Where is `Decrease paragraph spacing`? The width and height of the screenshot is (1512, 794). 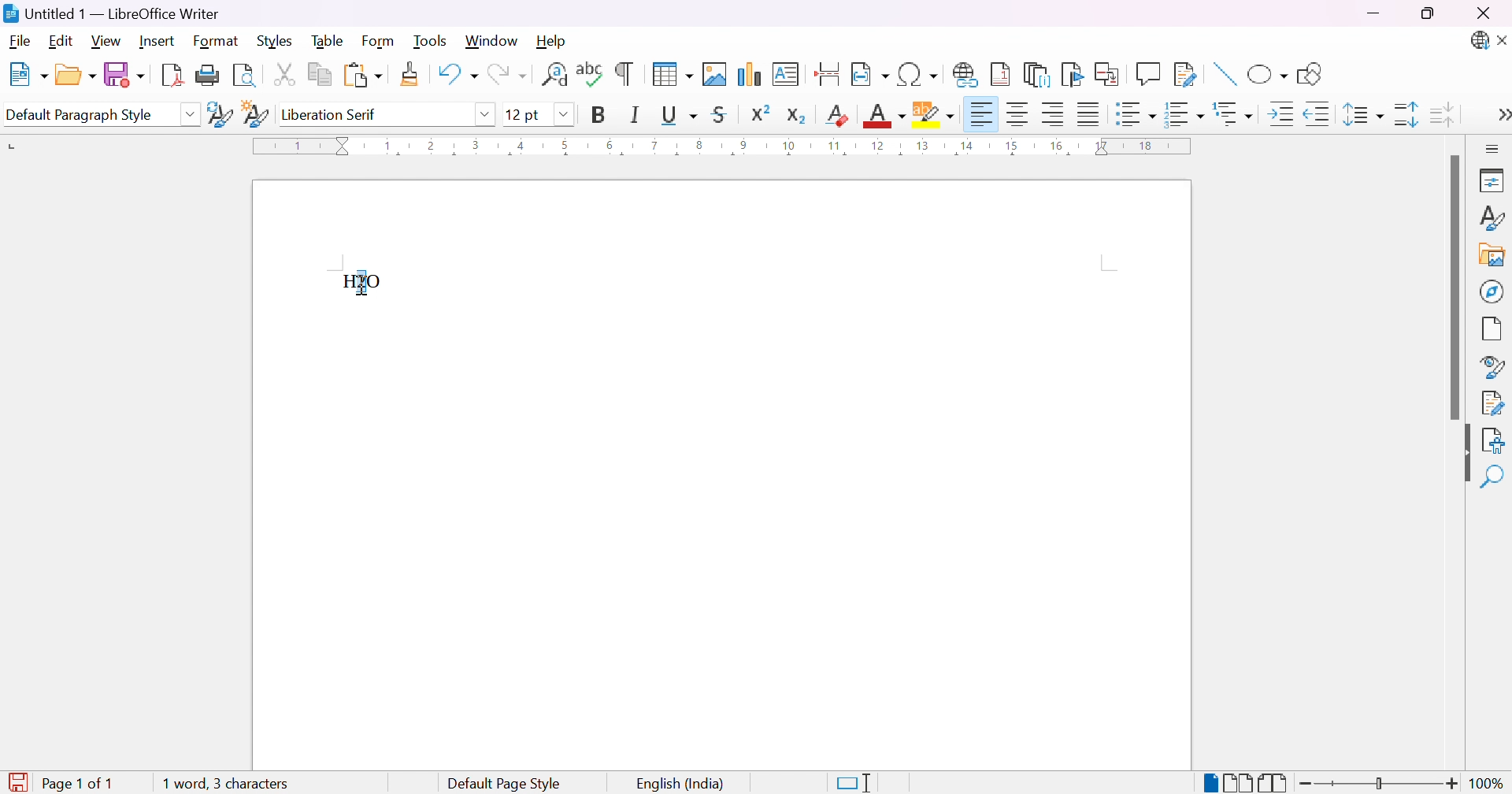
Decrease paragraph spacing is located at coordinates (1440, 113).